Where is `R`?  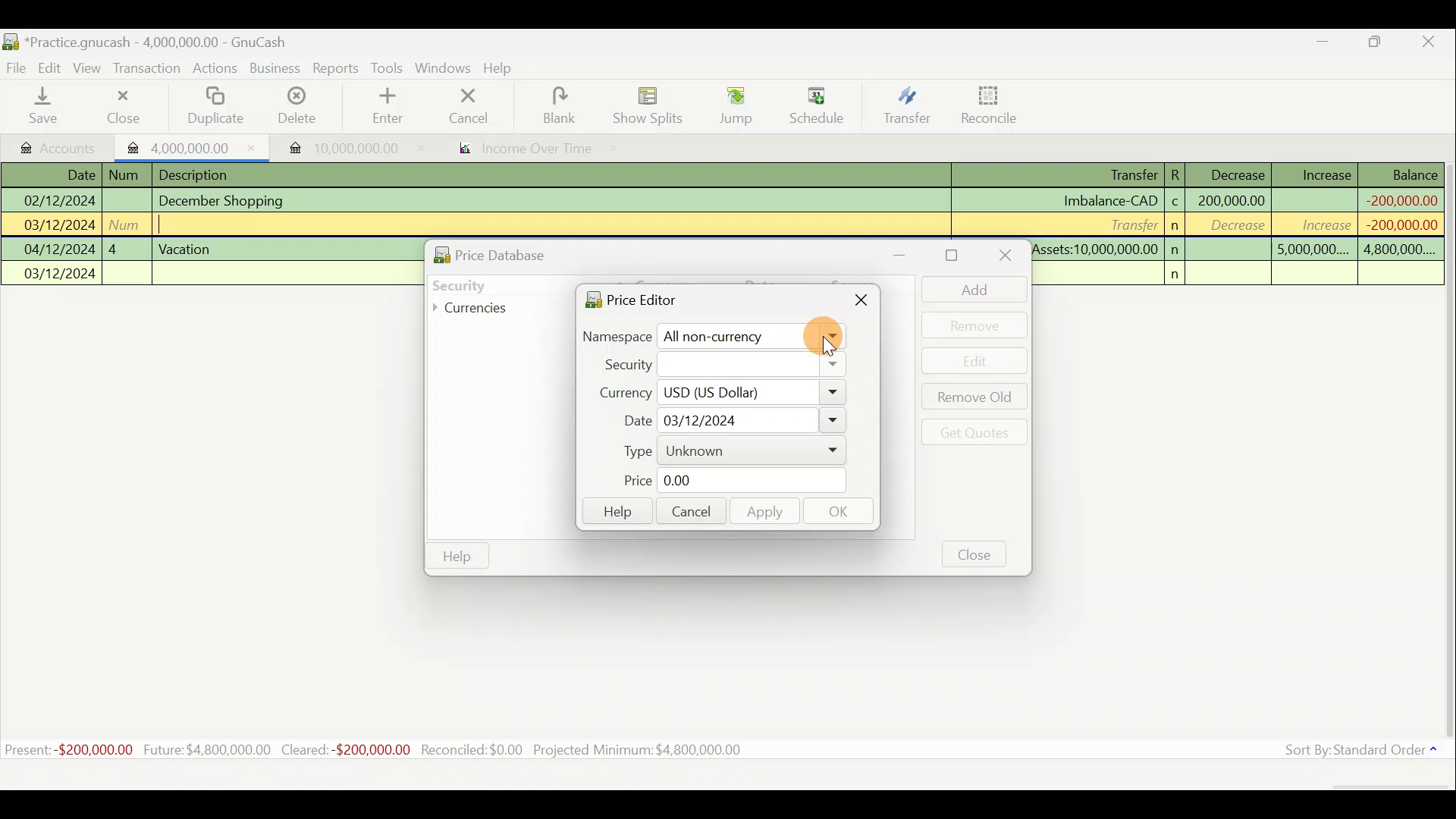 R is located at coordinates (1180, 174).